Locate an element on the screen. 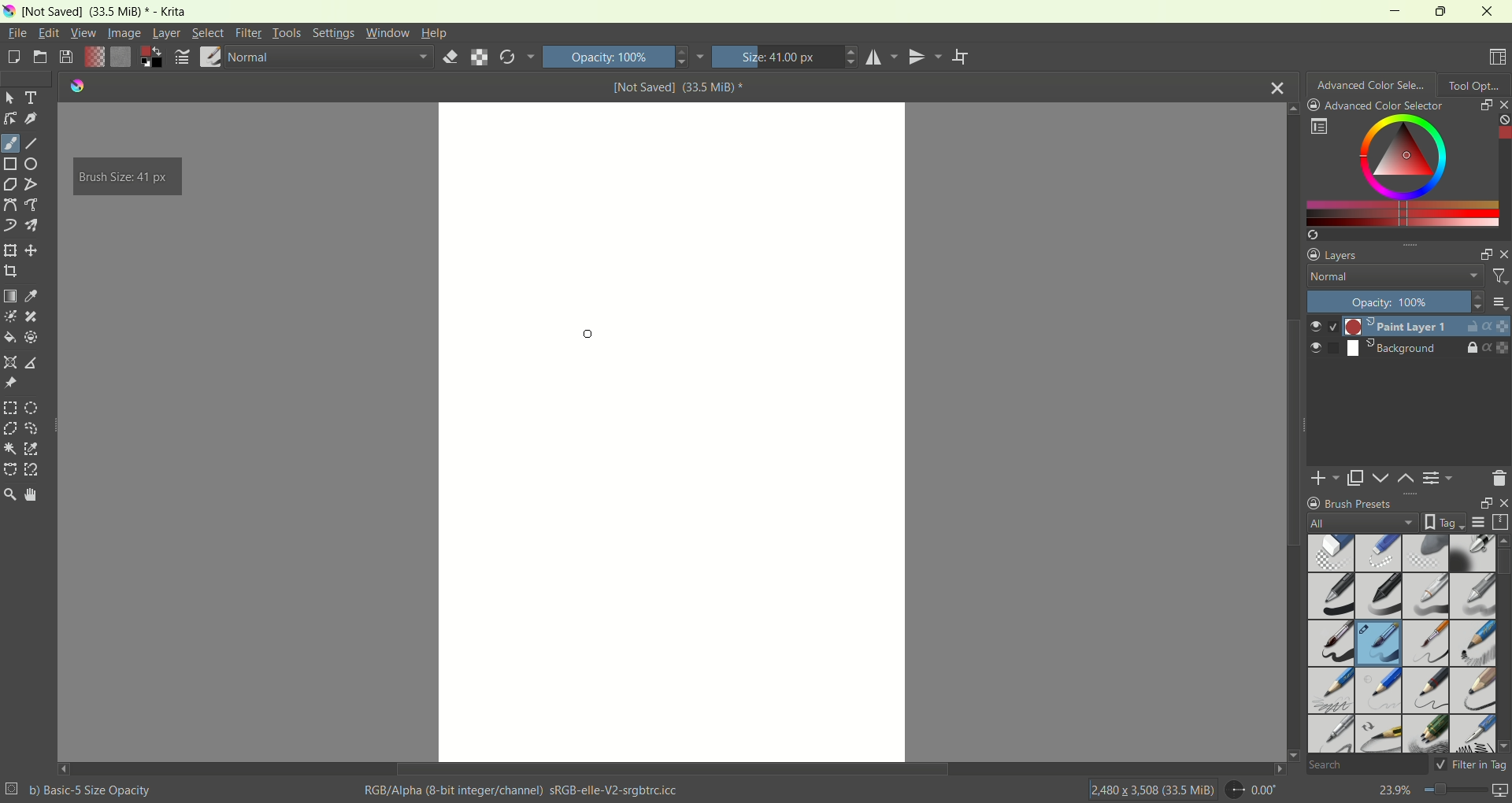 The height and width of the screenshot is (803, 1512). similar color selection is located at coordinates (31, 449).